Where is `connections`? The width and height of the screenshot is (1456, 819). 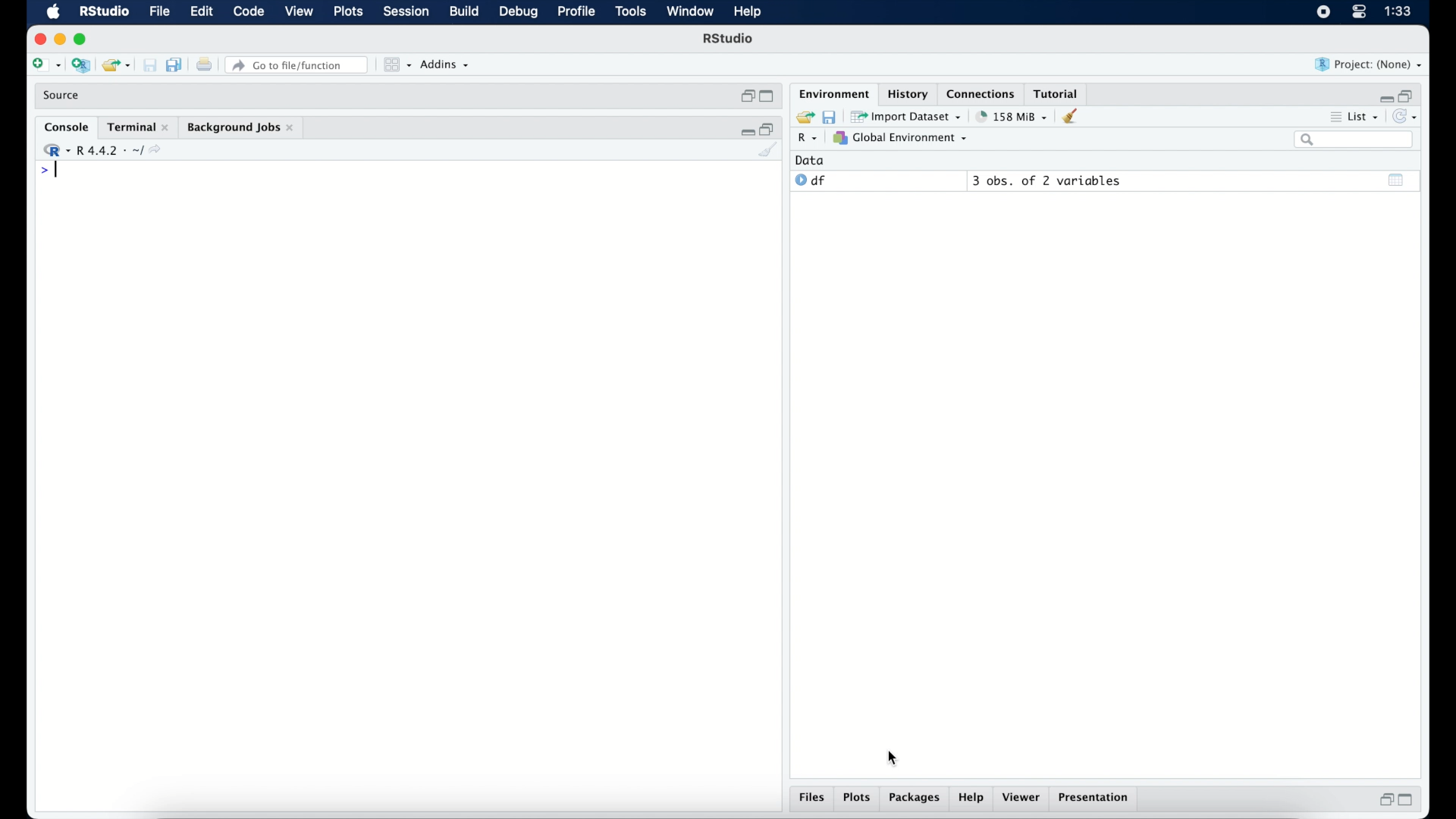 connections is located at coordinates (983, 93).